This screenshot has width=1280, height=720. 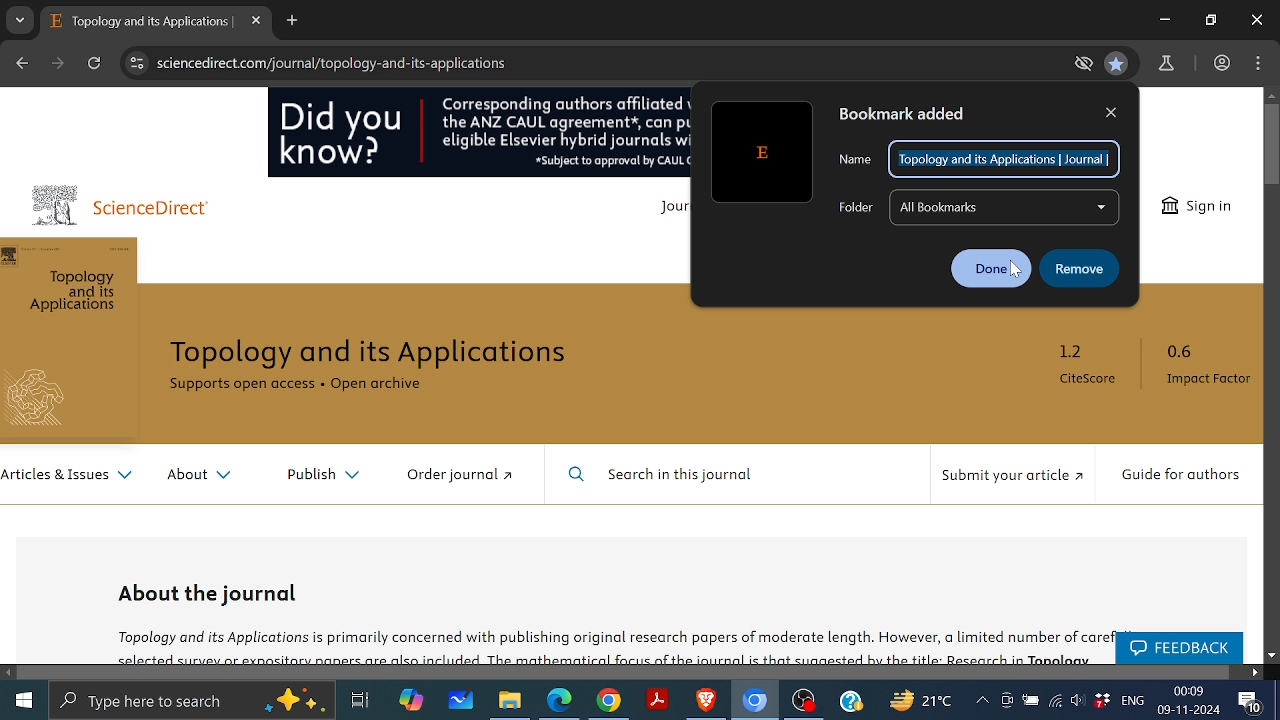 What do you see at coordinates (1257, 20) in the screenshot?
I see `Close window` at bounding box center [1257, 20].